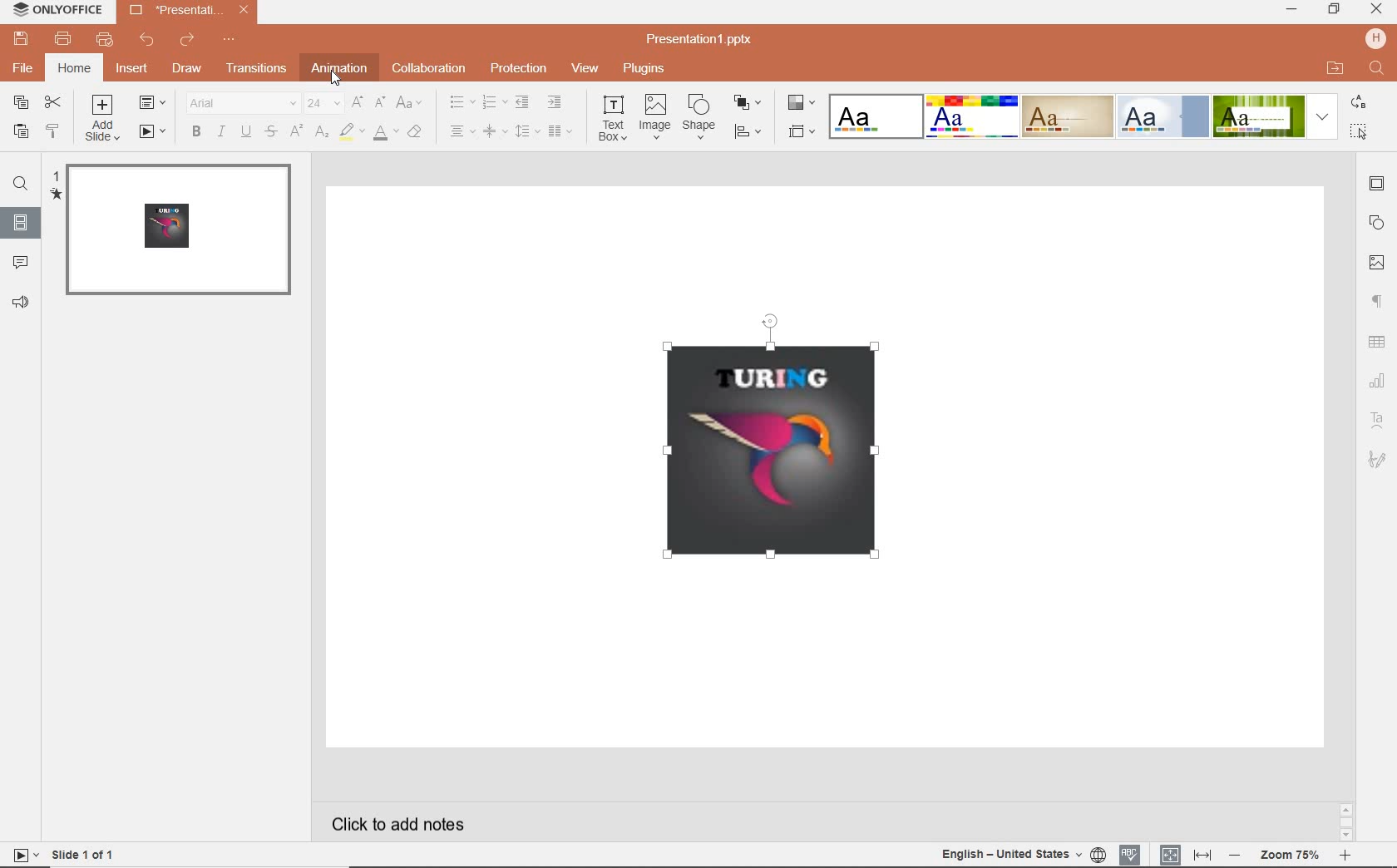 This screenshot has height=868, width=1397. I want to click on slide 1, so click(176, 232).